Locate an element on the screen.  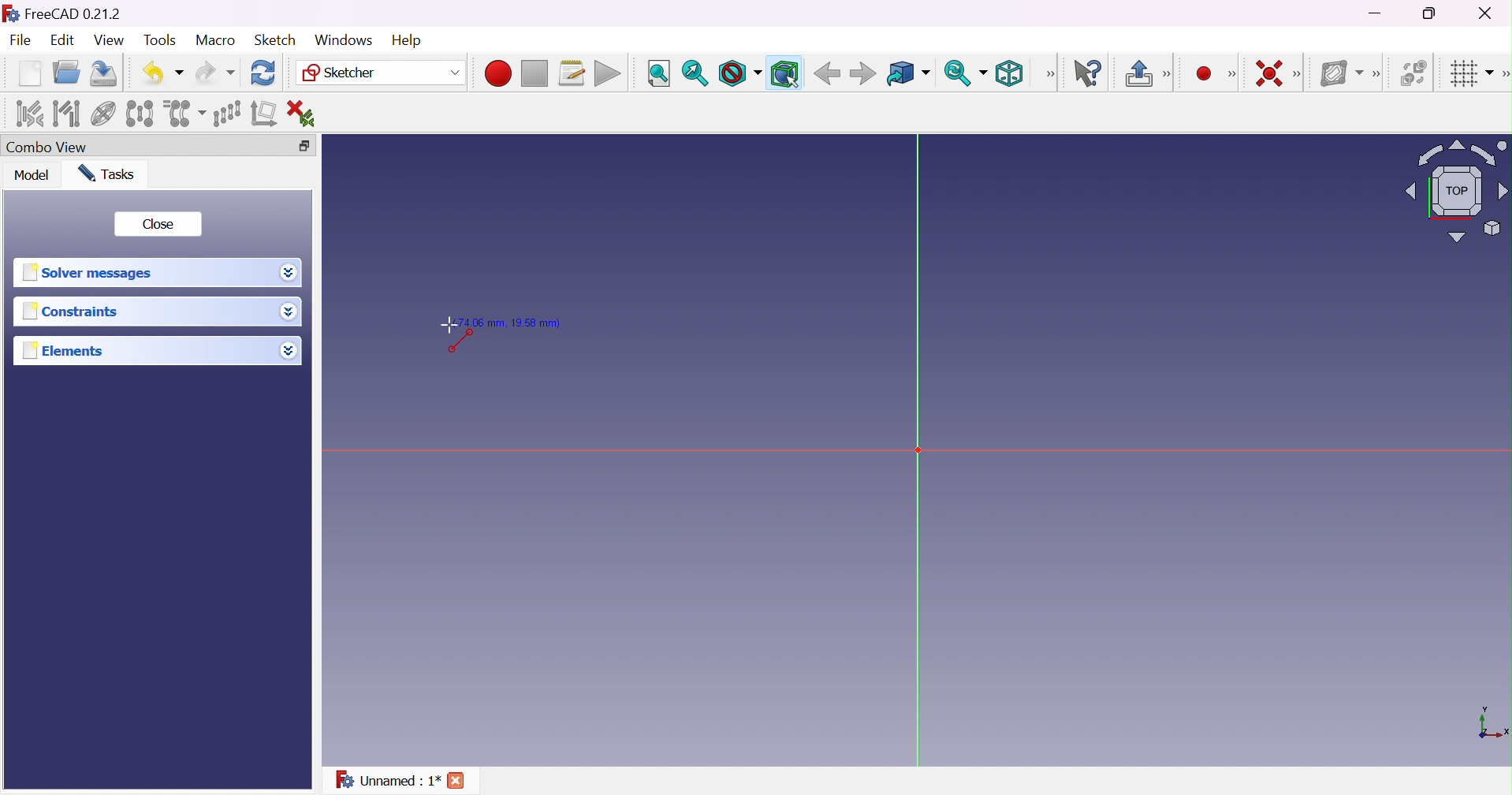
Drop down is located at coordinates (291, 353).